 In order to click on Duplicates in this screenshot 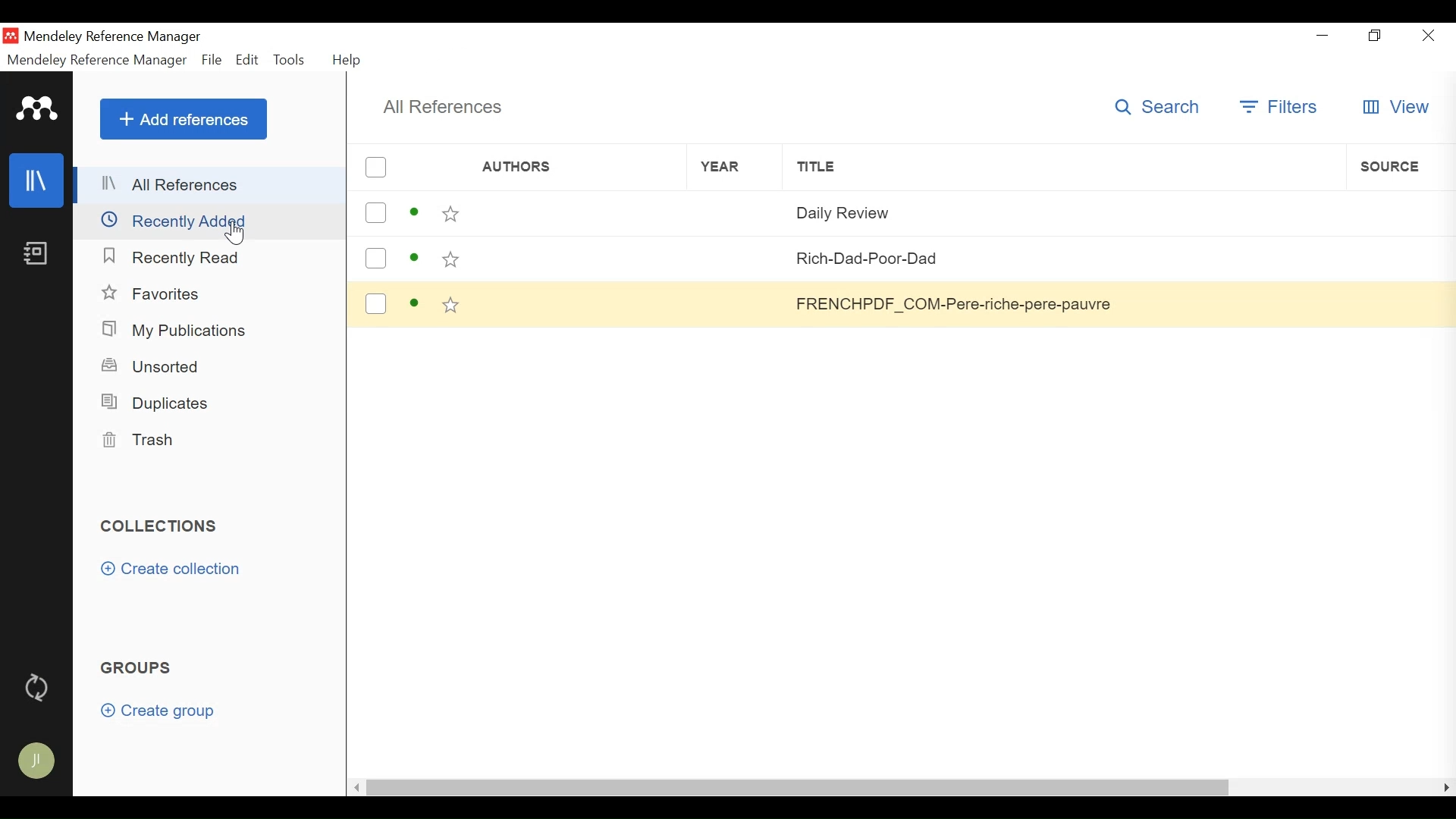, I will do `click(162, 400)`.